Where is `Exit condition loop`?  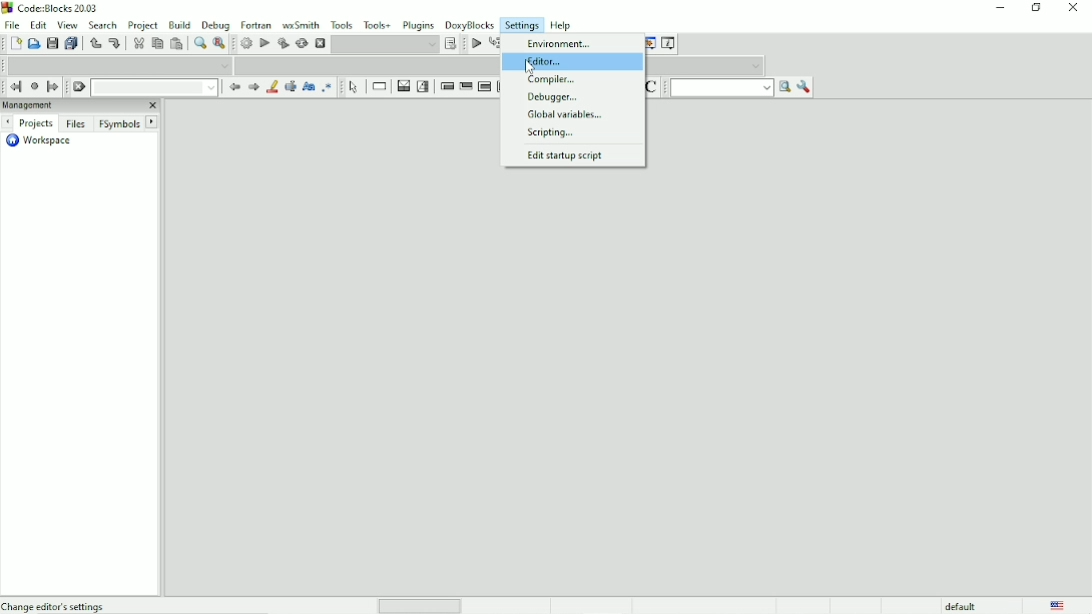 Exit condition loop is located at coordinates (466, 87).